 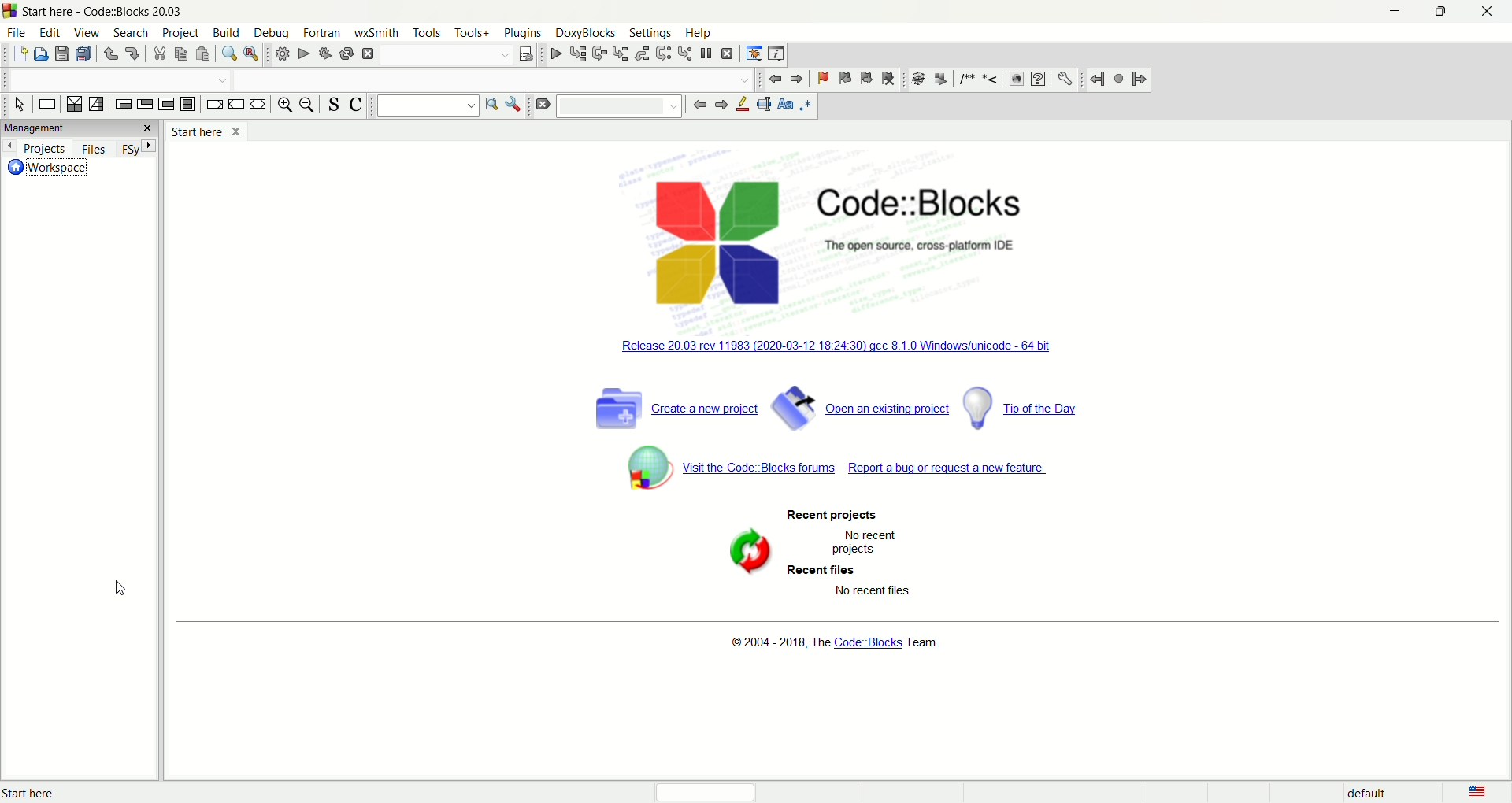 What do you see at coordinates (888, 78) in the screenshot?
I see `clear bookmark` at bounding box center [888, 78].